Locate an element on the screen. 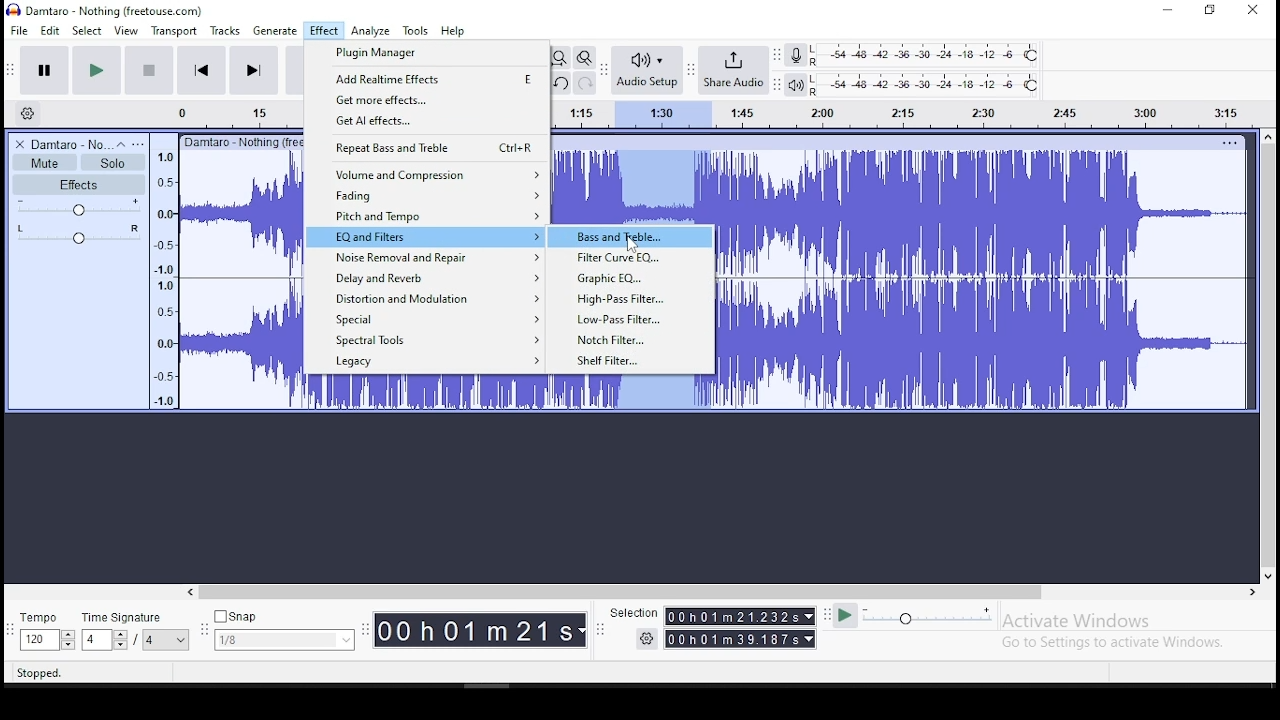  Go to Settings to activate Windows. is located at coordinates (1116, 642).